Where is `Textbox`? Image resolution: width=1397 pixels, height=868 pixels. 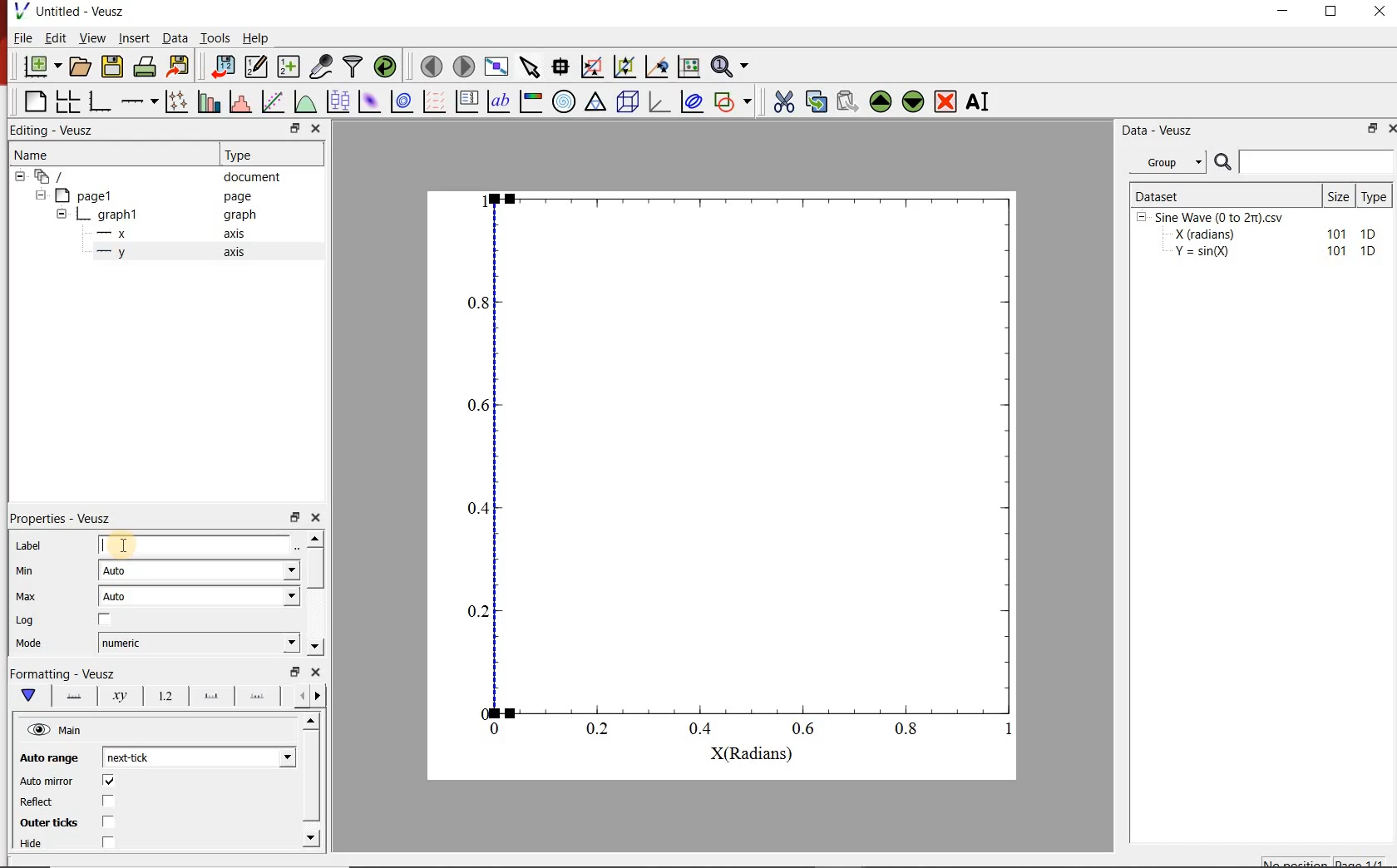 Textbox is located at coordinates (195, 545).